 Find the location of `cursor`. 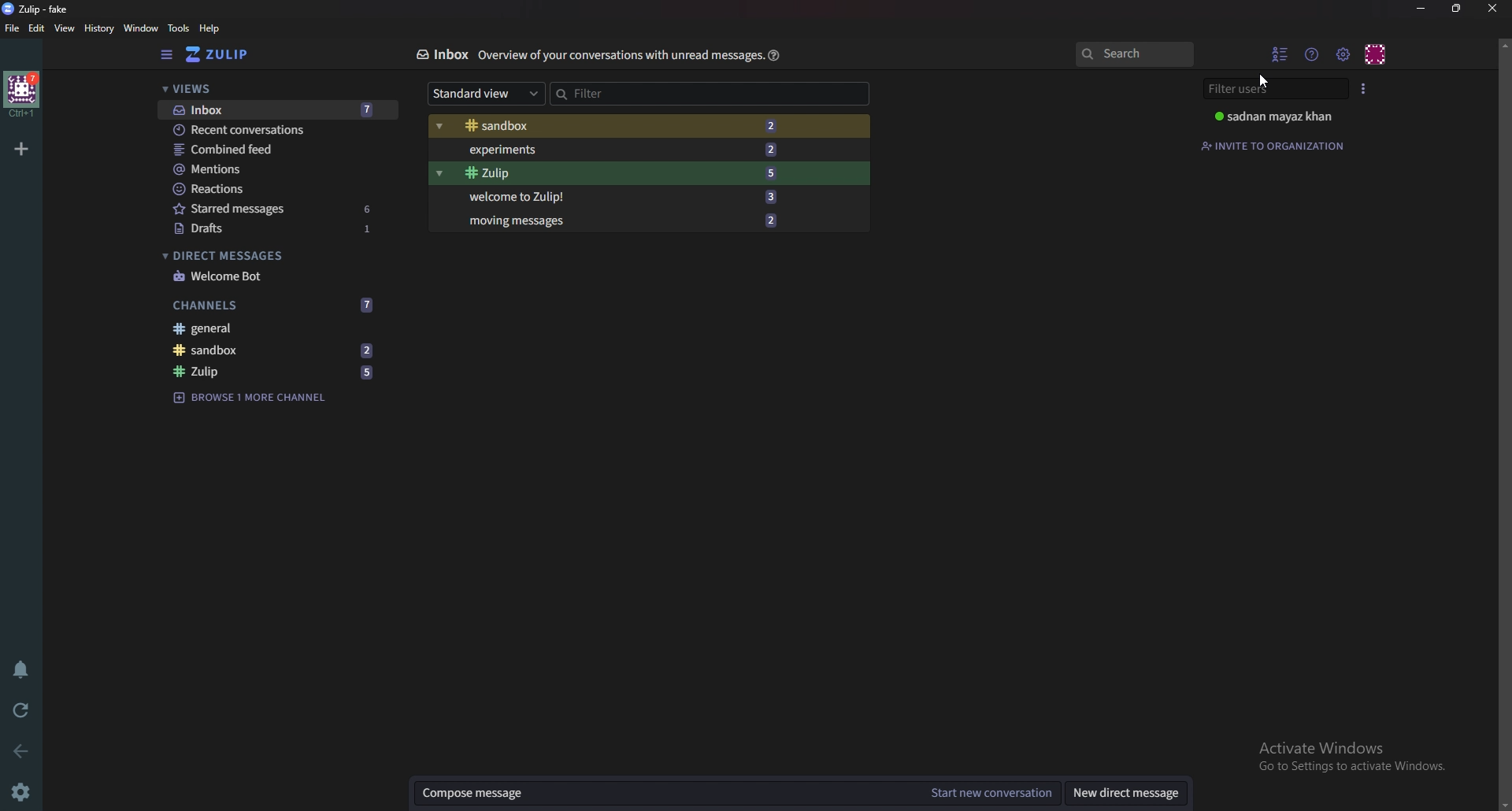

cursor is located at coordinates (1263, 81).